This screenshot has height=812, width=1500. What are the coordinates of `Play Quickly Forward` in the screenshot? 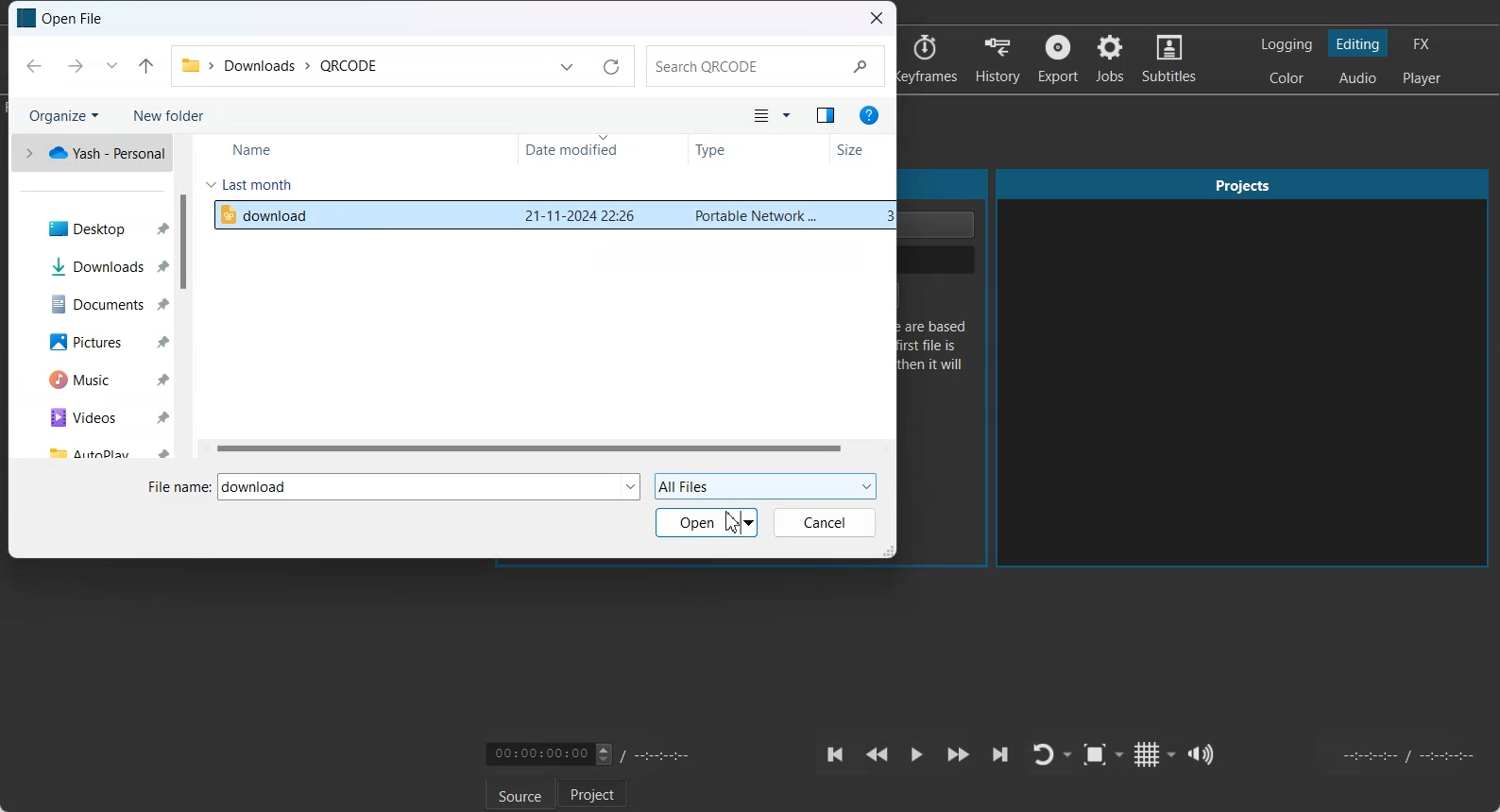 It's located at (959, 754).